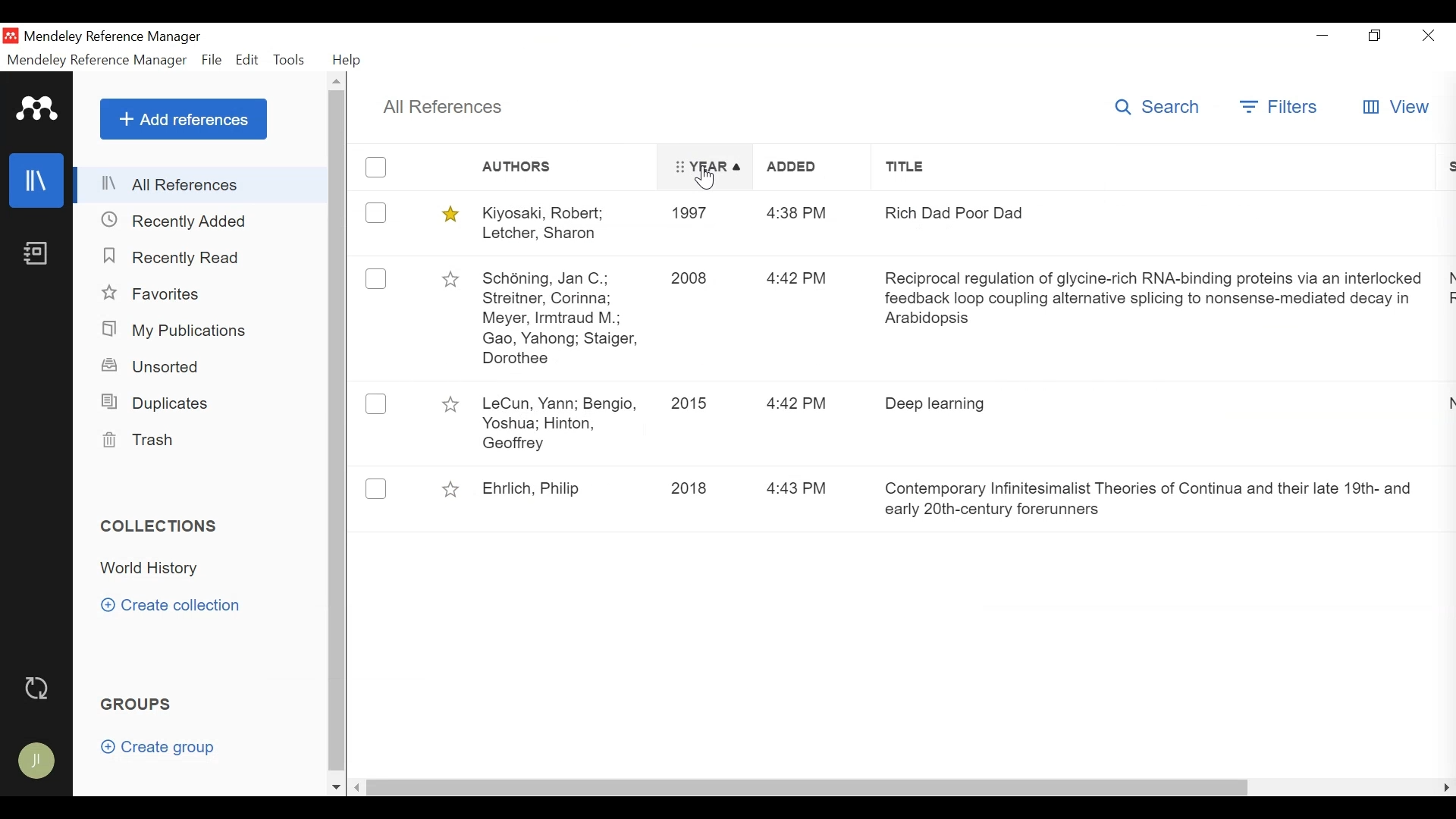 The height and width of the screenshot is (819, 1456). Describe the element at coordinates (362, 786) in the screenshot. I see `Scroll left` at that location.